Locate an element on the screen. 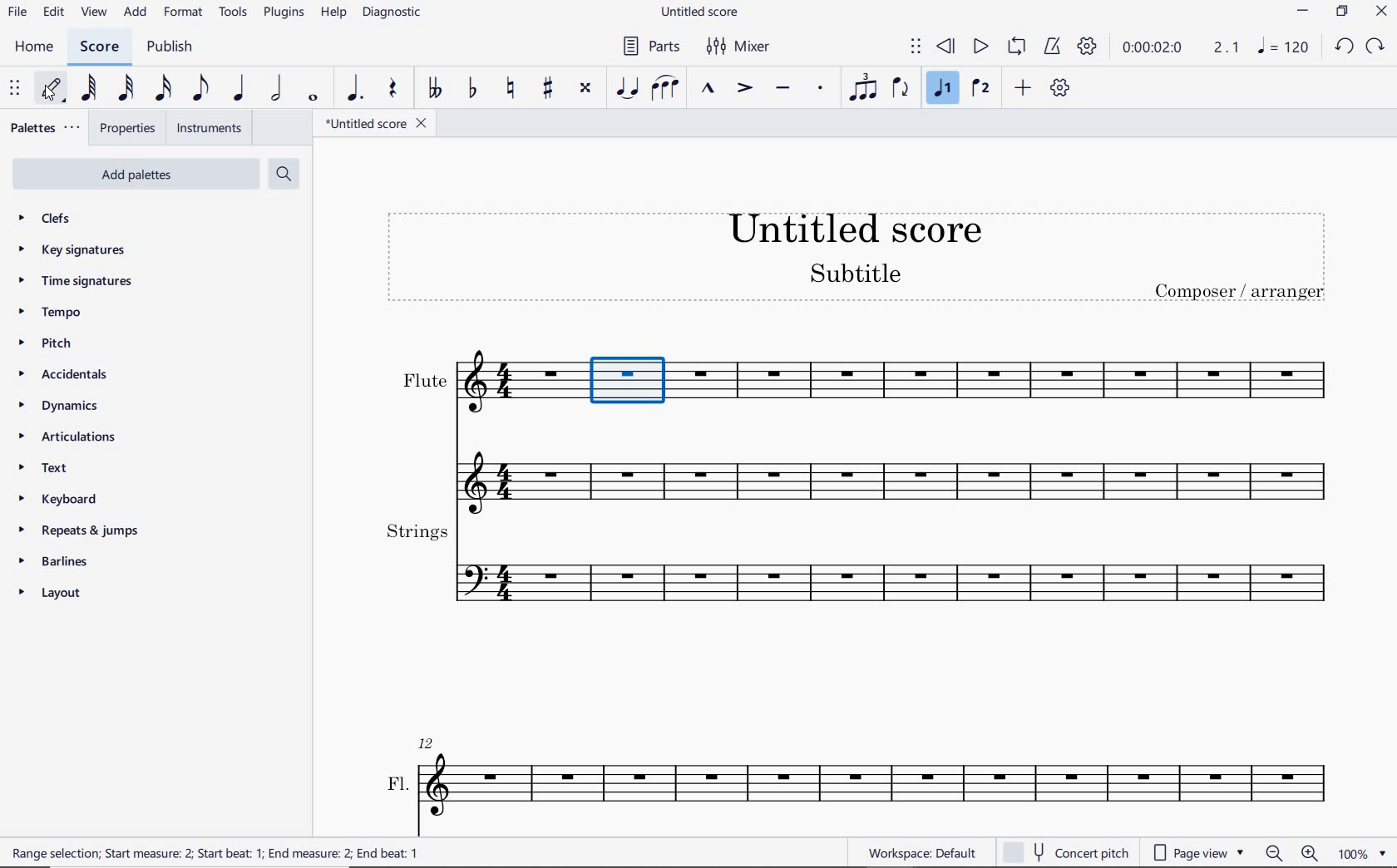  64TH NOTE is located at coordinates (90, 88).